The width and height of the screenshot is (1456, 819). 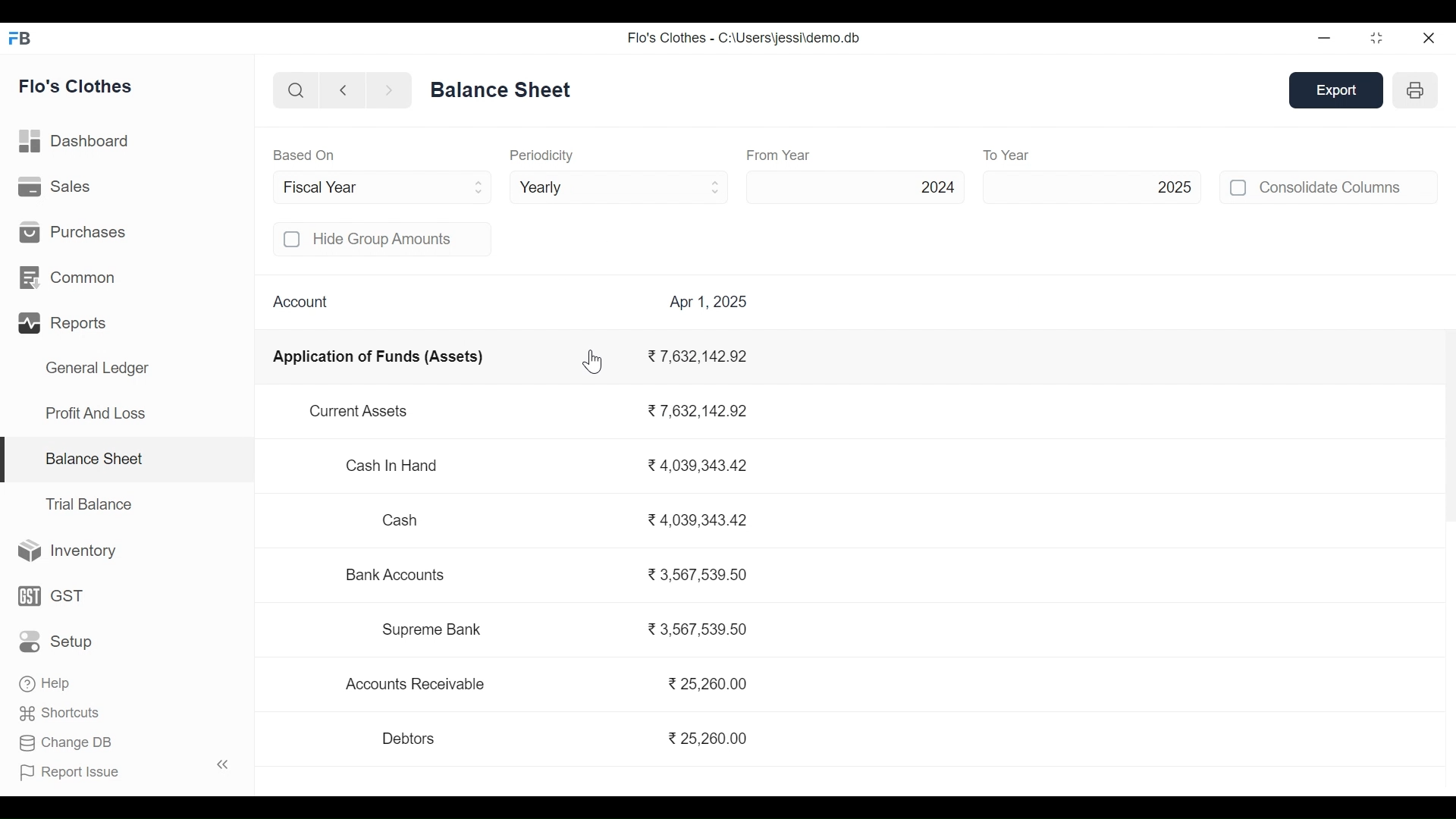 I want to click on Flo's Clothes, so click(x=77, y=88).